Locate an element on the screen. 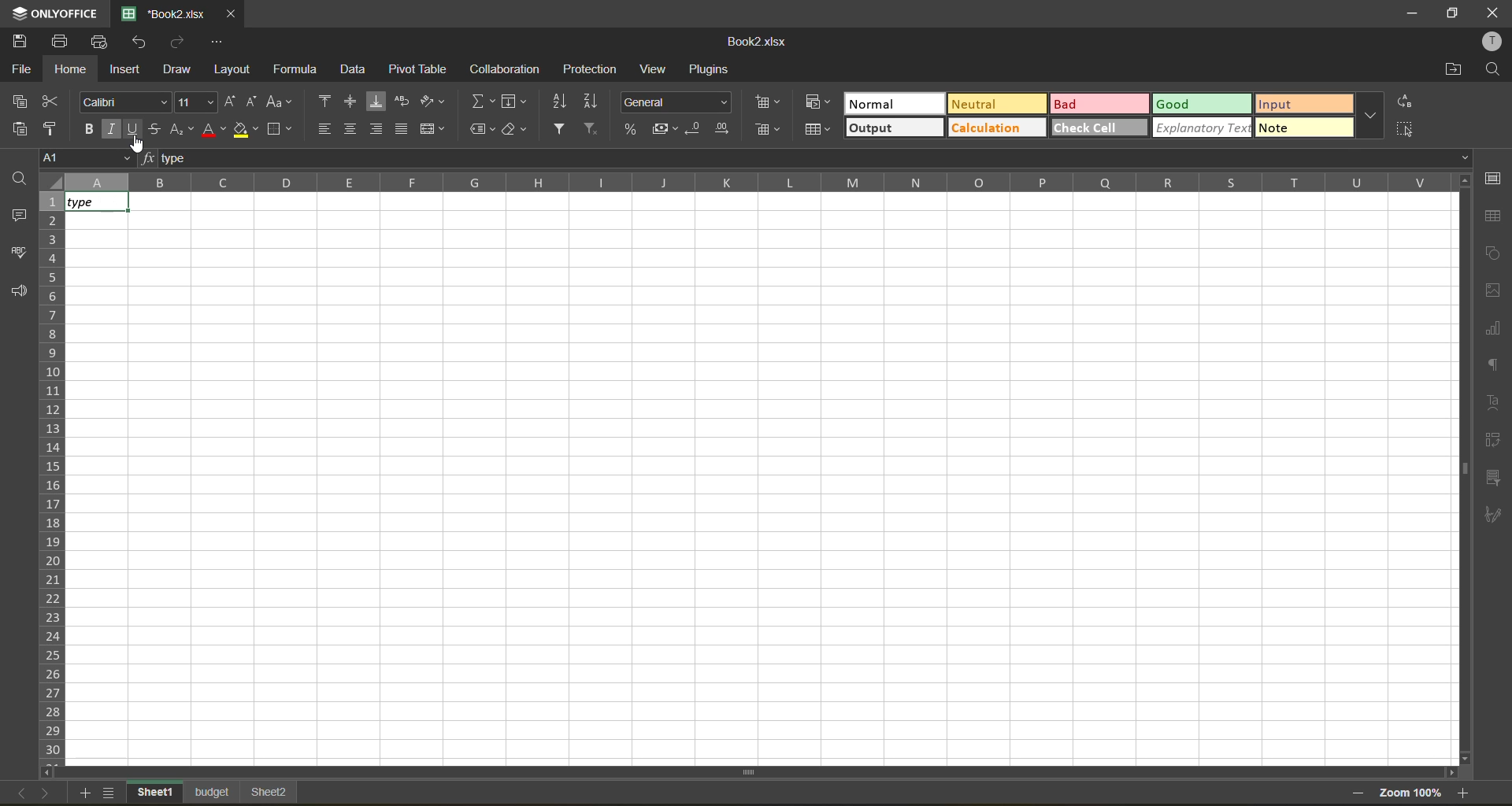 The image size is (1512, 806). view is located at coordinates (655, 69).